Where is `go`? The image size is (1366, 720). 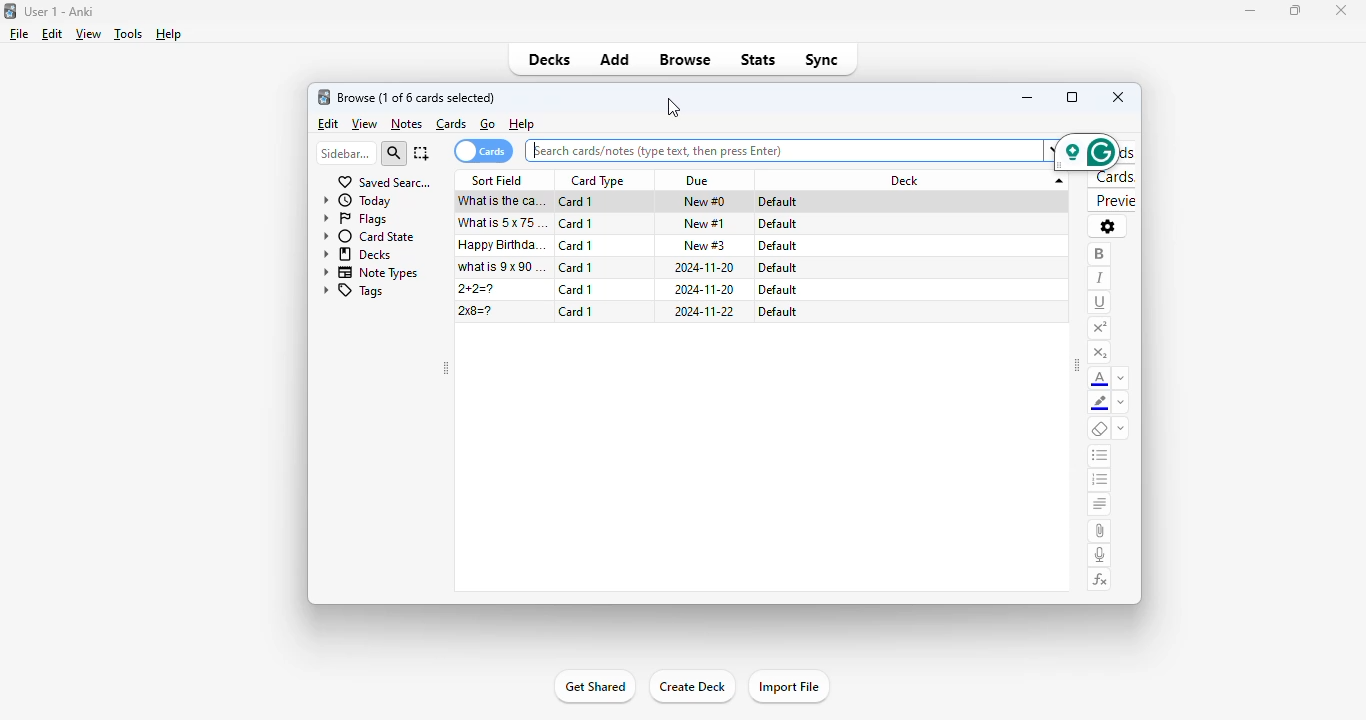 go is located at coordinates (489, 124).